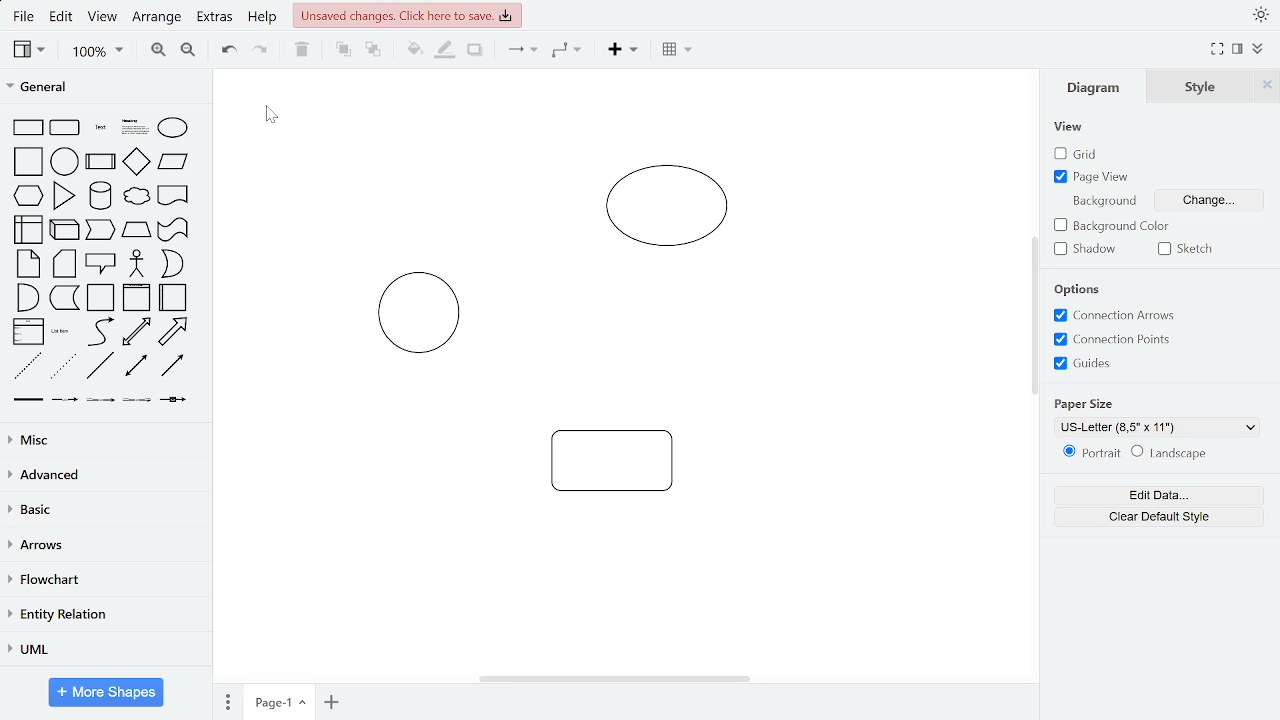 Image resolution: width=1280 pixels, height=720 pixels. Describe the element at coordinates (674, 51) in the screenshot. I see `table` at that location.